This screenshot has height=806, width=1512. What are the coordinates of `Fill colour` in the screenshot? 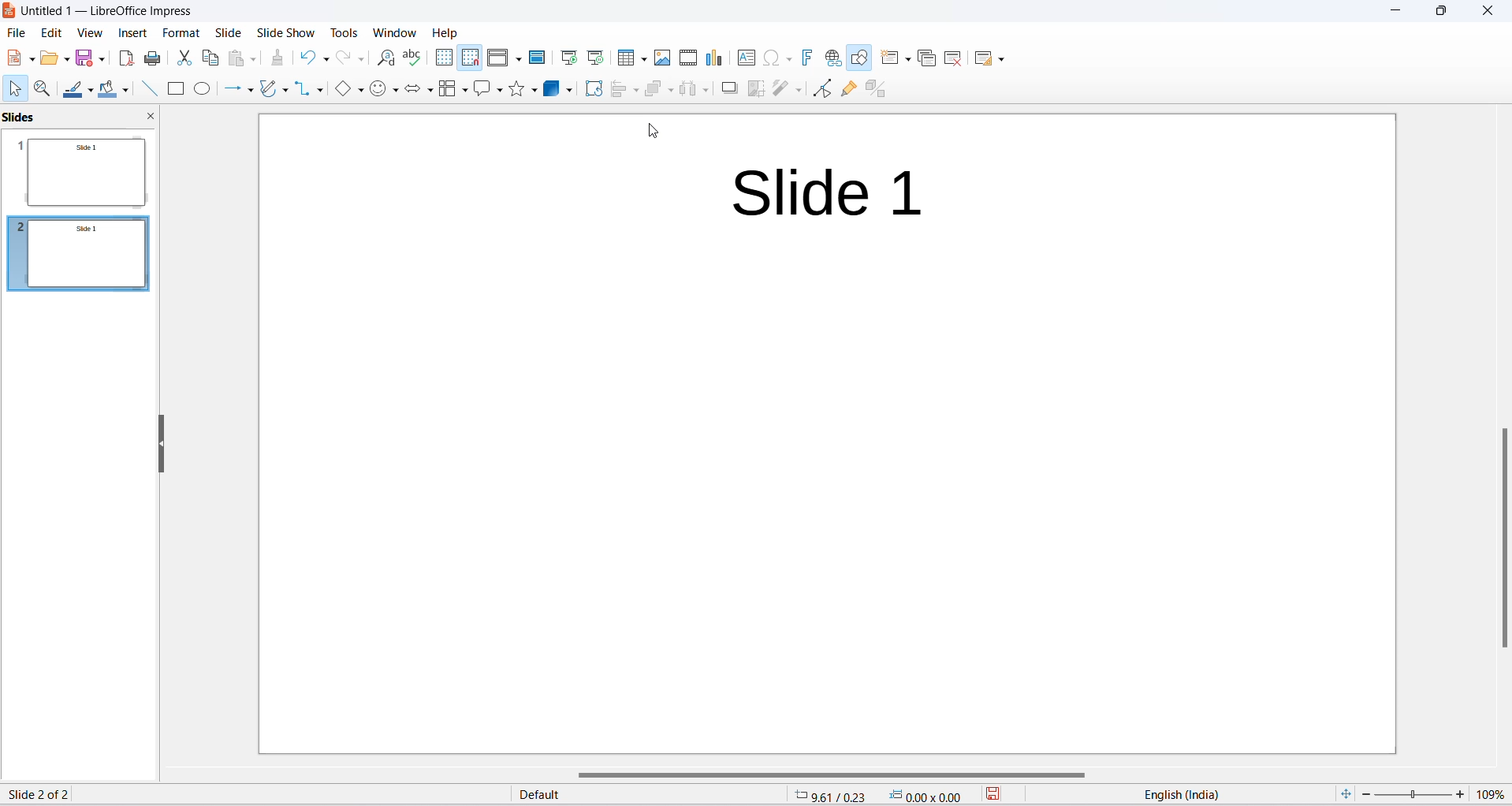 It's located at (114, 89).